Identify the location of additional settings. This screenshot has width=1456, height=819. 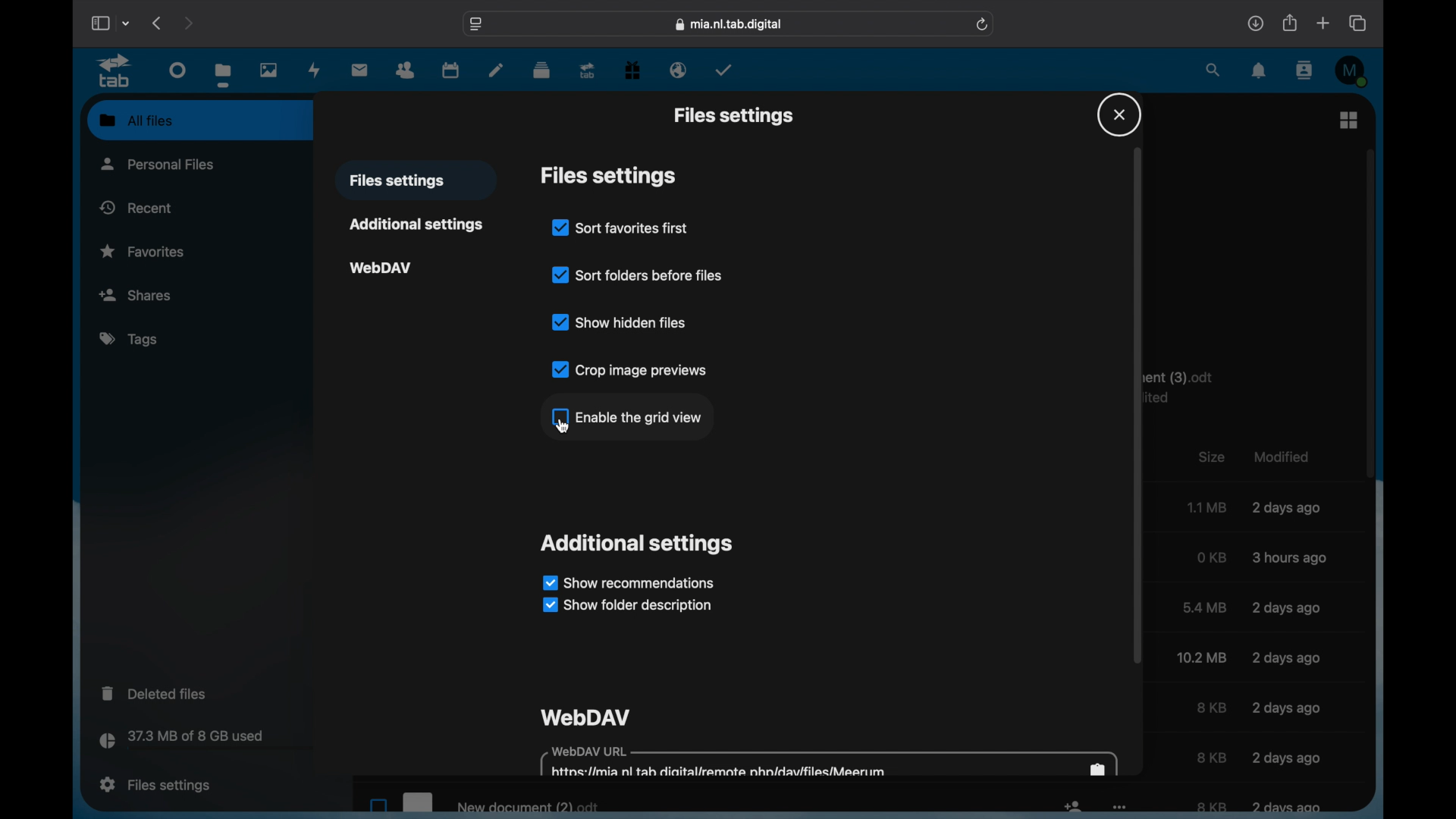
(639, 543).